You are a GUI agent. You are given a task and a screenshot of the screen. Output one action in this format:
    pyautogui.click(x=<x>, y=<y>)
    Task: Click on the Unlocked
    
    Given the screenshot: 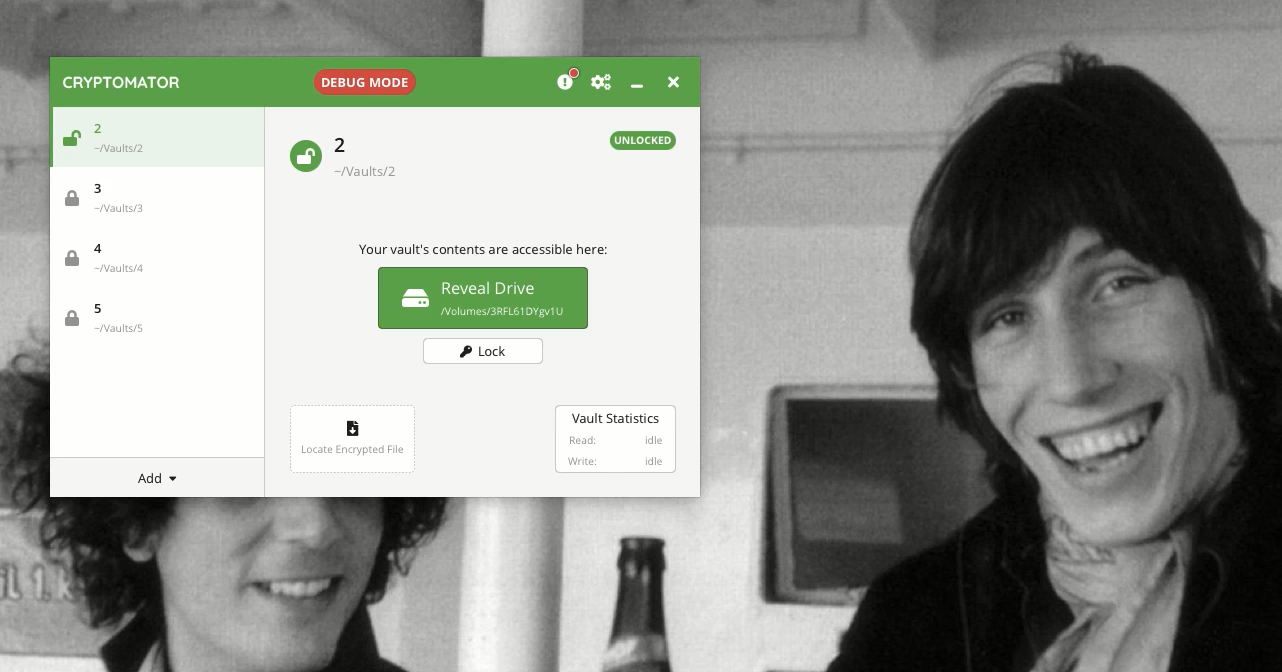 What is the action you would take?
    pyautogui.click(x=304, y=154)
    